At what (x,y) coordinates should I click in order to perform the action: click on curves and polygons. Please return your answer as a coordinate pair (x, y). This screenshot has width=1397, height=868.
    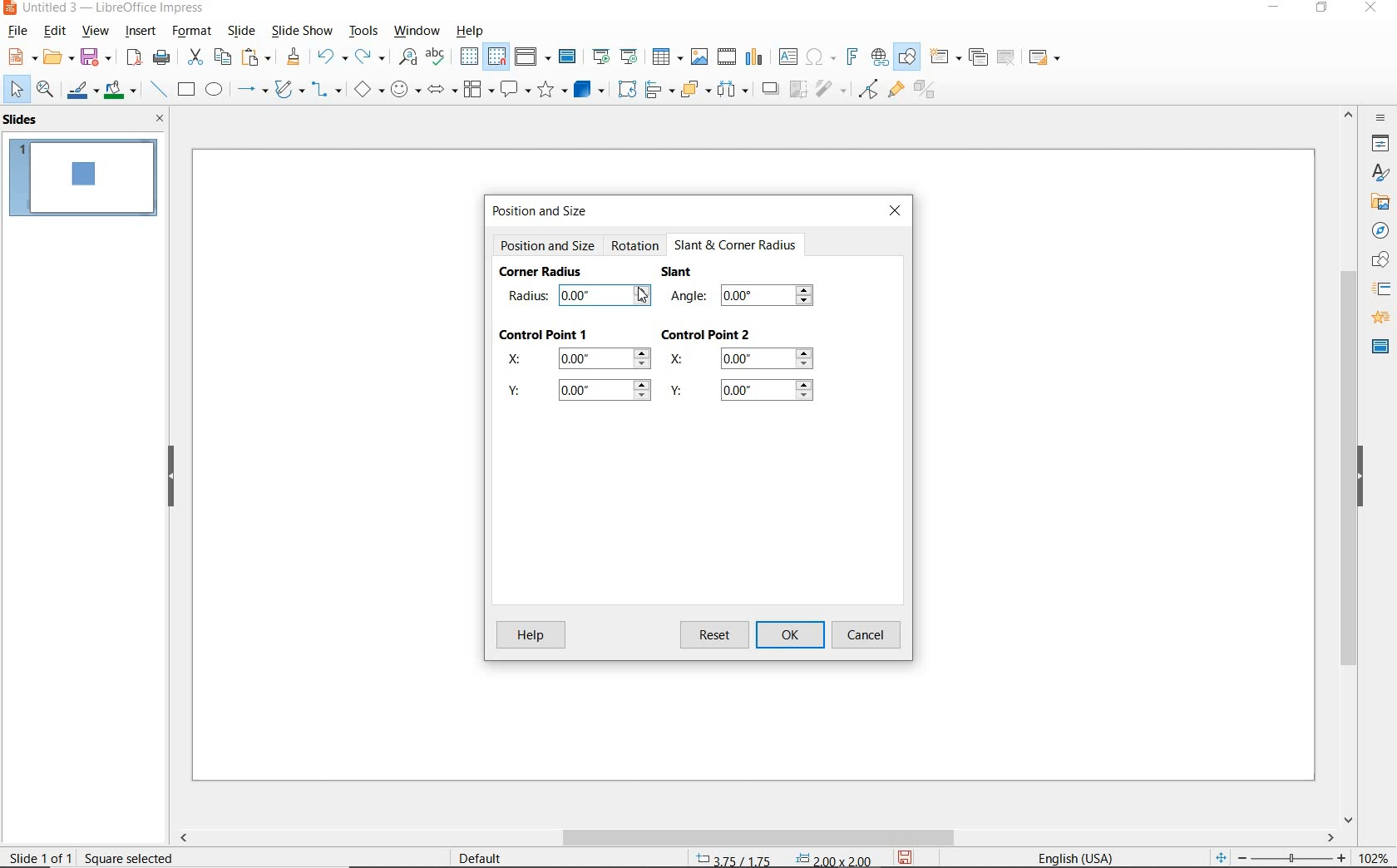
    Looking at the image, I should click on (288, 91).